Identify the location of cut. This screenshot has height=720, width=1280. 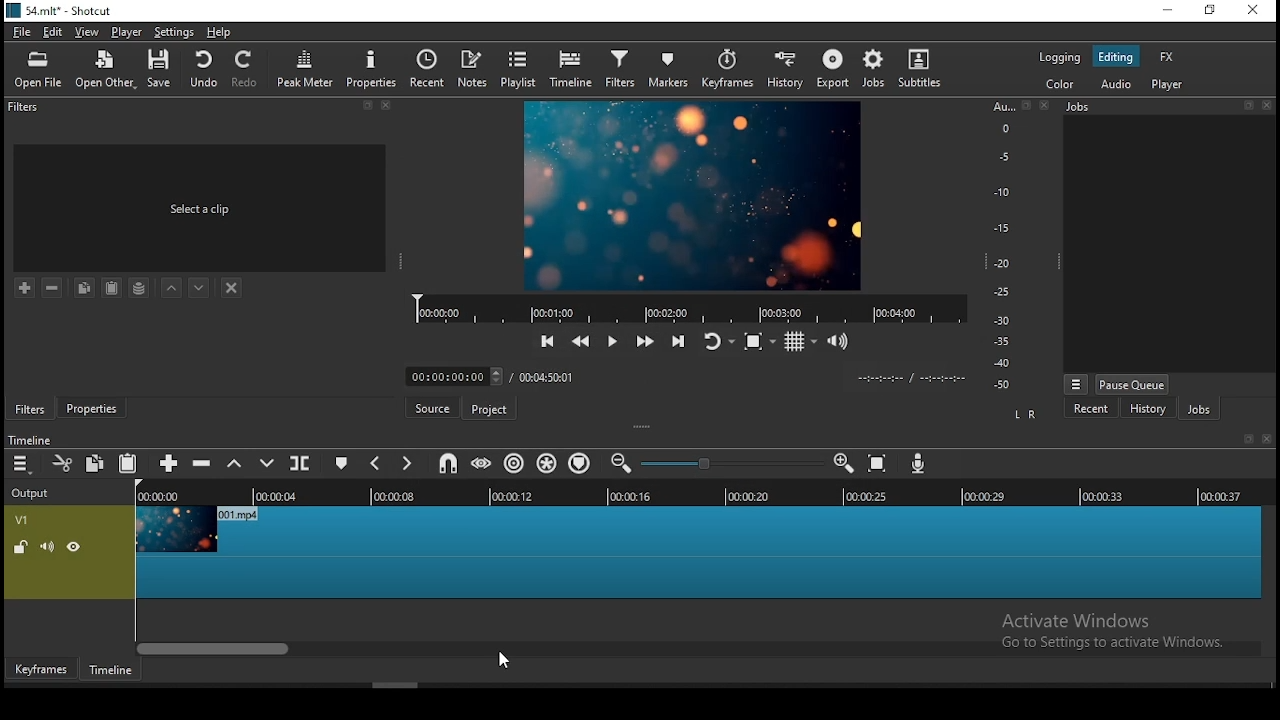
(63, 463).